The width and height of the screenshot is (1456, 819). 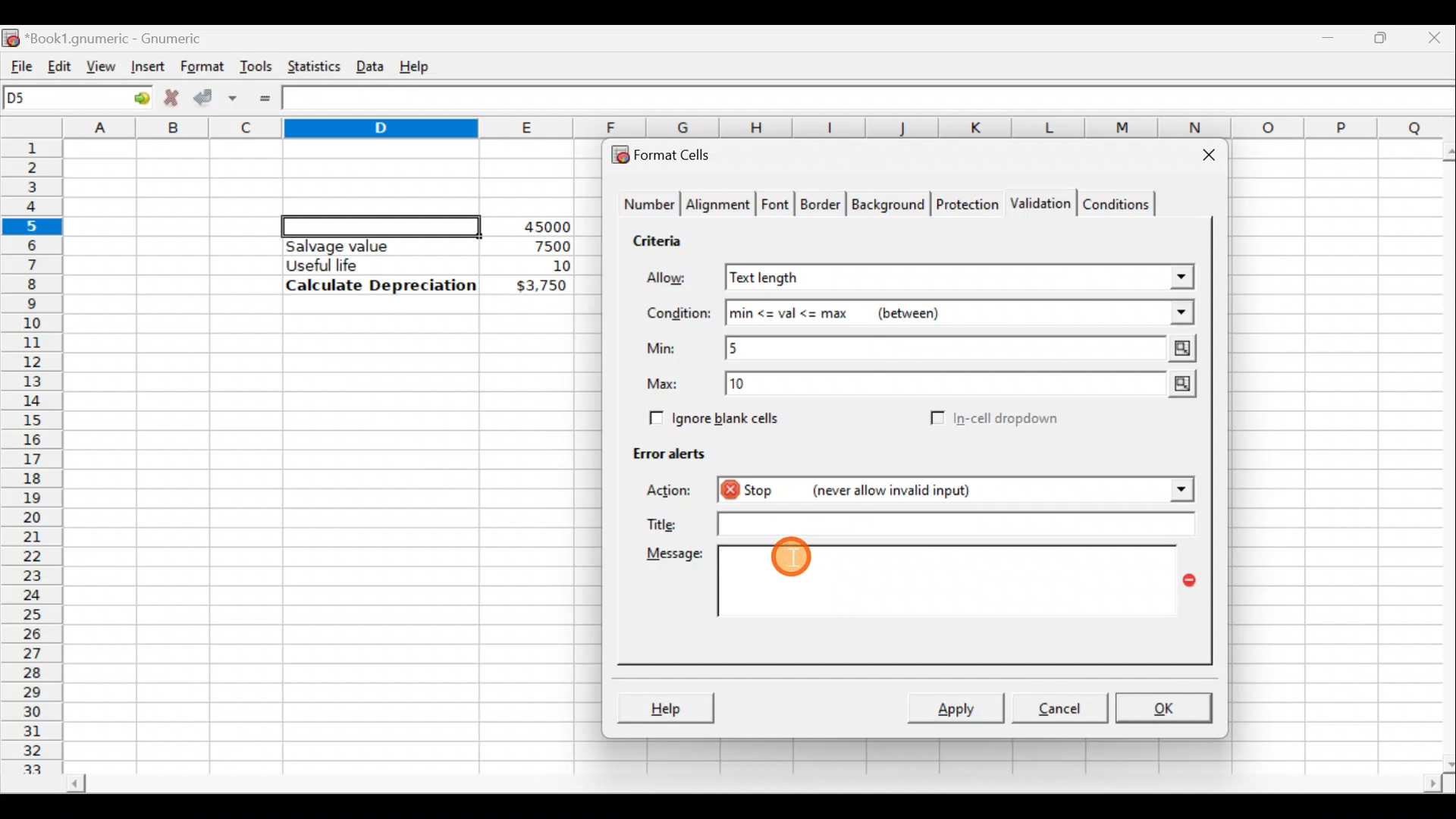 What do you see at coordinates (965, 387) in the screenshot?
I see `Max value = 10` at bounding box center [965, 387].